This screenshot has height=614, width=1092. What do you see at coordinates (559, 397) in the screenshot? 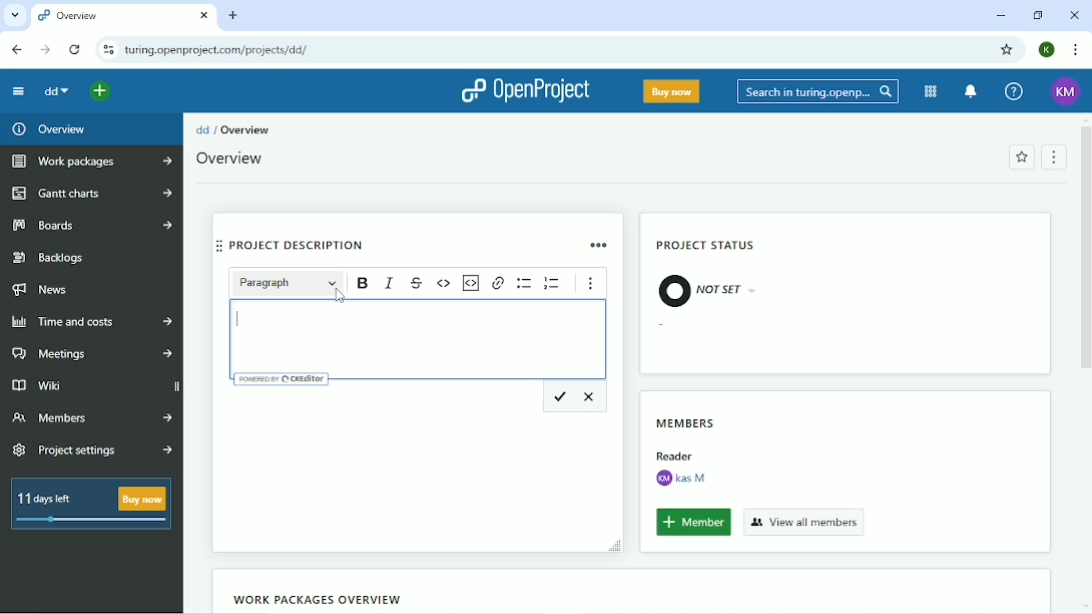
I see `Save` at bounding box center [559, 397].